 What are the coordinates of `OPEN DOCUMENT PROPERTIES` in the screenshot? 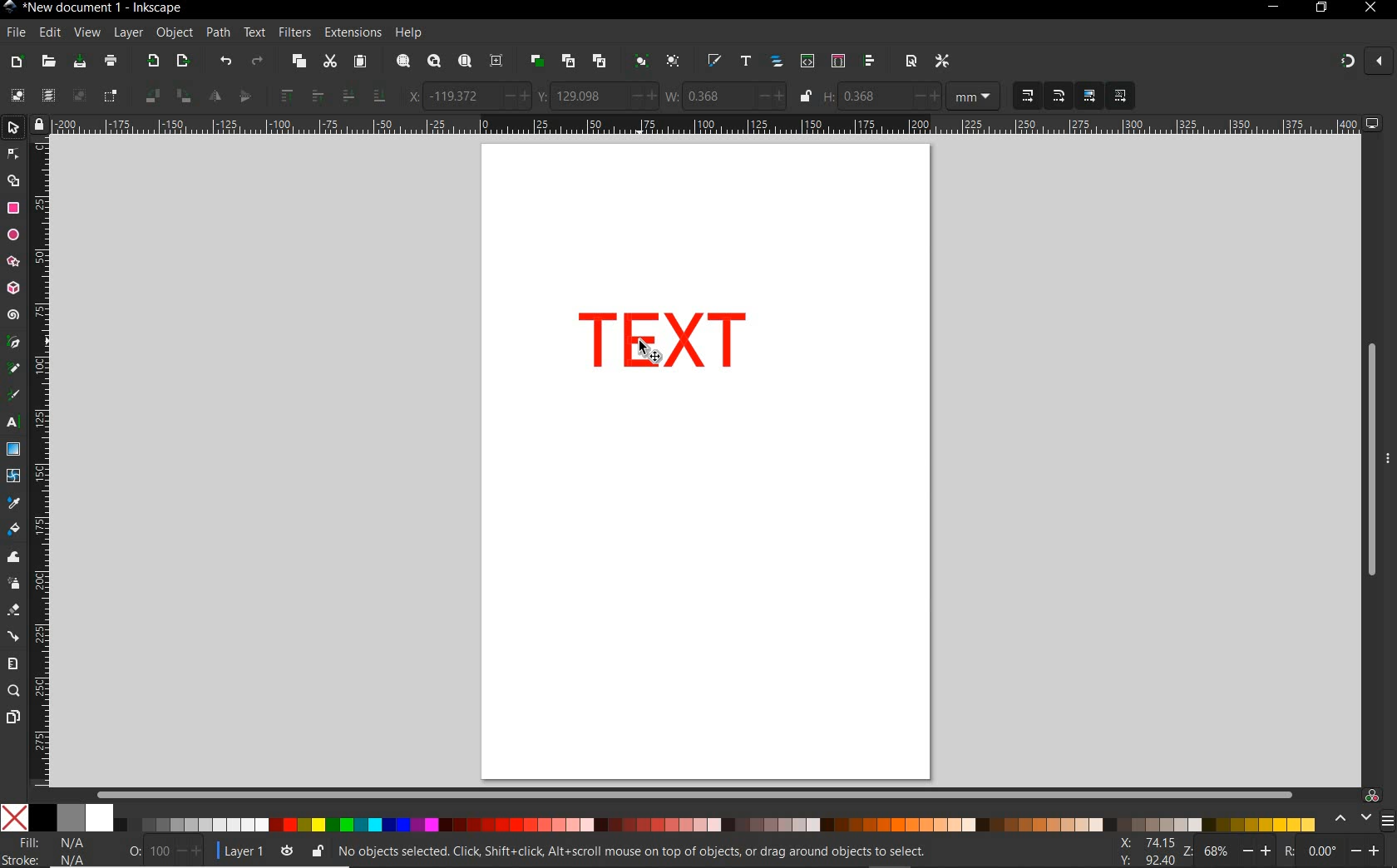 It's located at (911, 61).